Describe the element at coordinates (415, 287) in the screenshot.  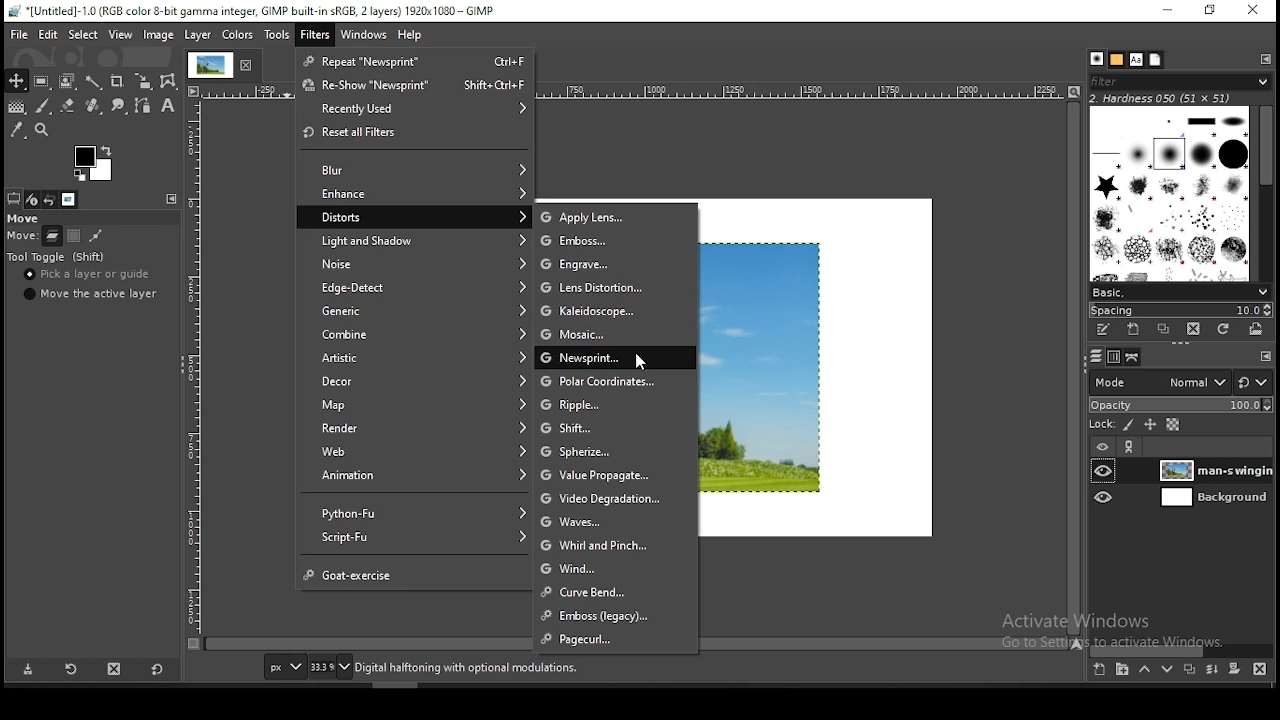
I see `edge detect` at that location.